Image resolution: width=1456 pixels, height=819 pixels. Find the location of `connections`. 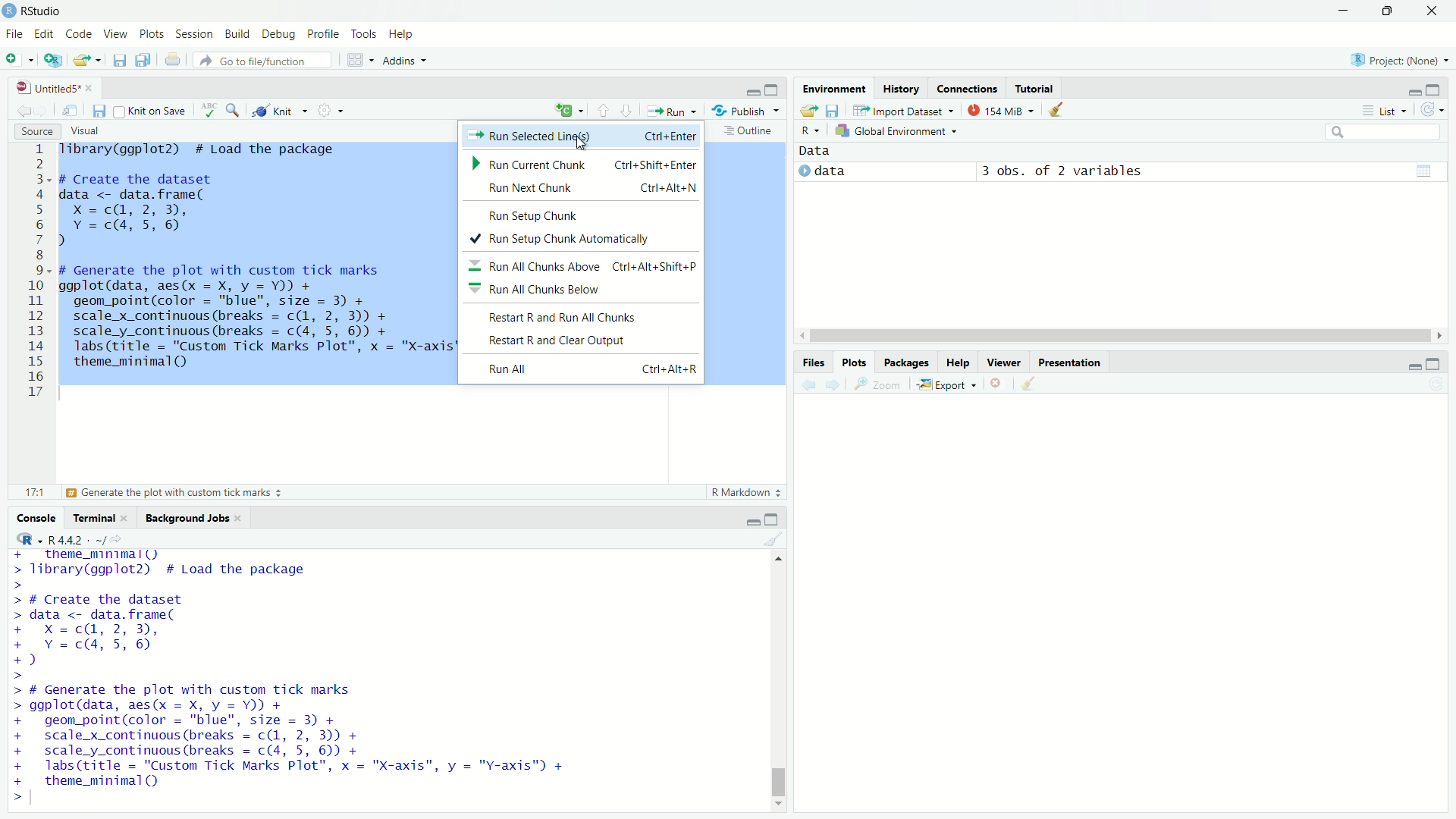

connections is located at coordinates (966, 88).